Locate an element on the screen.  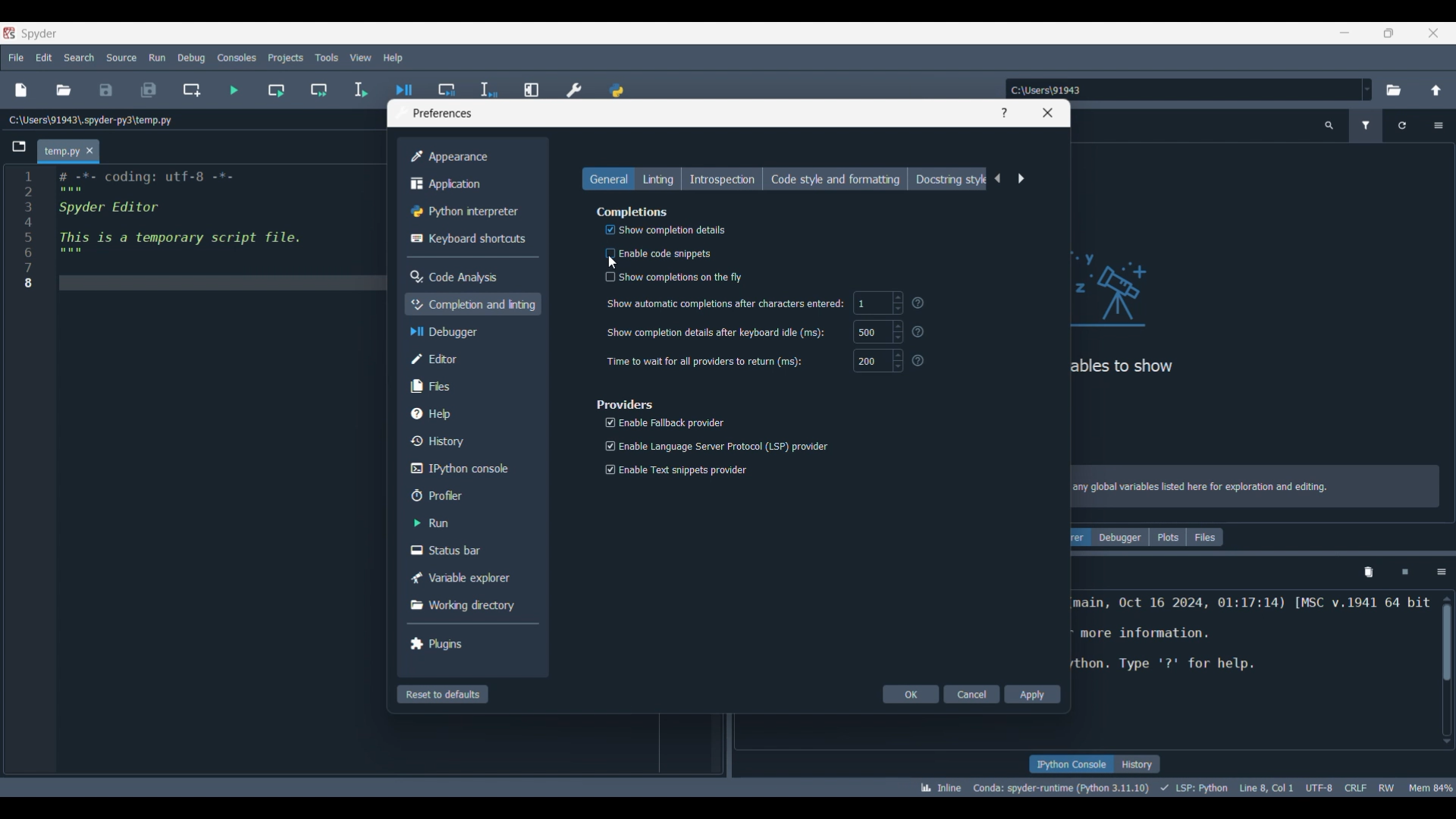
Next is located at coordinates (1021, 179).